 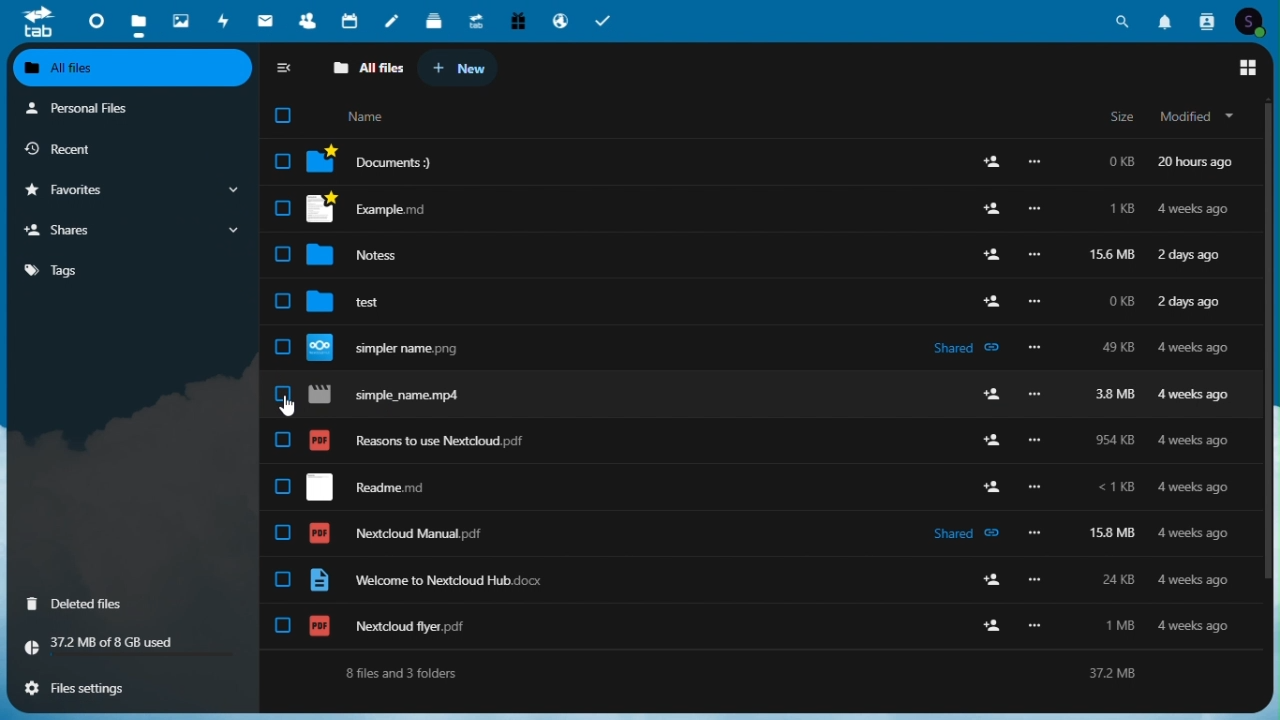 I want to click on Document 3, so click(x=763, y=166).